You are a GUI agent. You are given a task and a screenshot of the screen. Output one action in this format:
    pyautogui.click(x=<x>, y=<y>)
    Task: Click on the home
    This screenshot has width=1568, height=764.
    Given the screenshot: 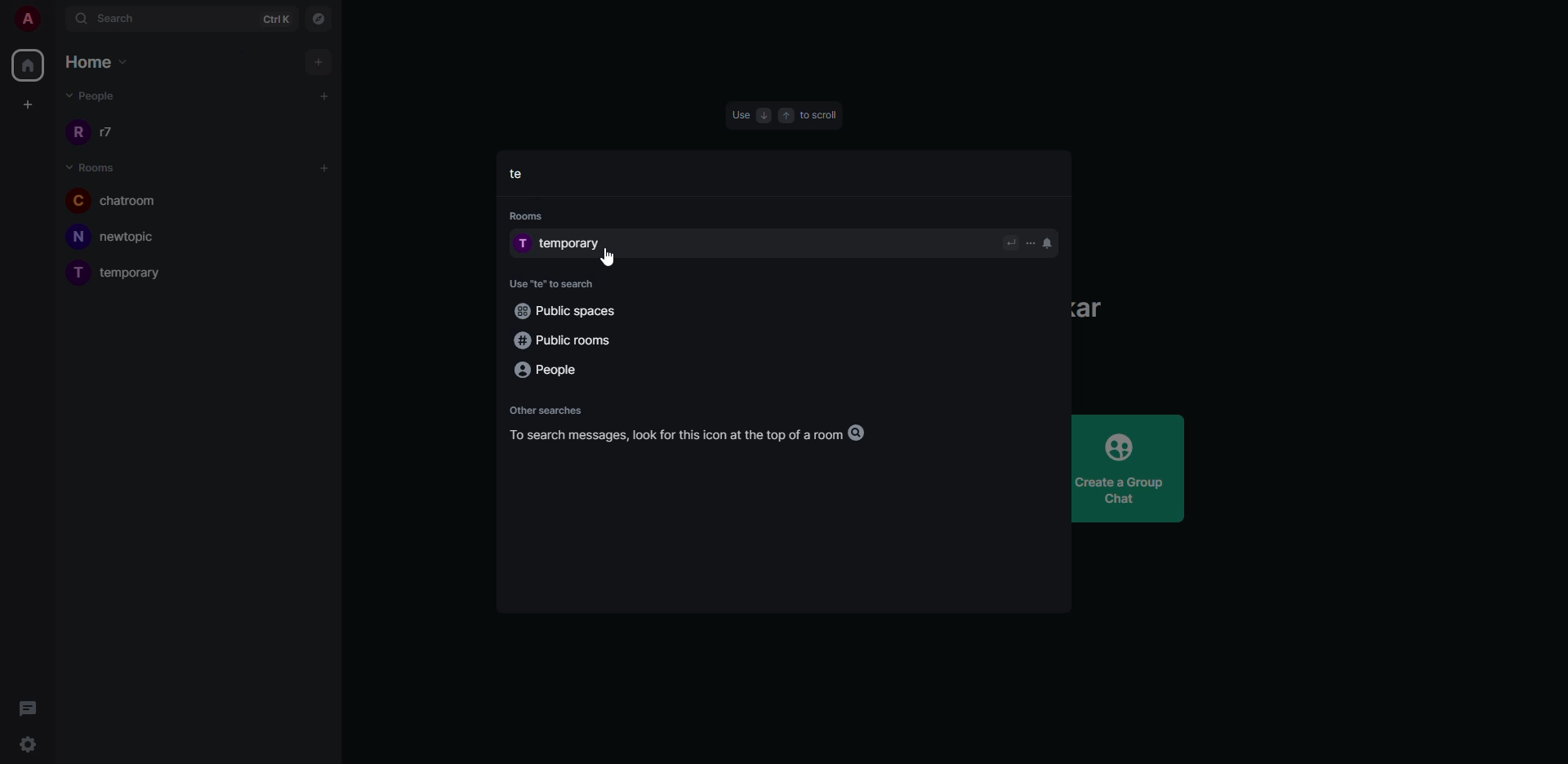 What is the action you would take?
    pyautogui.click(x=28, y=64)
    